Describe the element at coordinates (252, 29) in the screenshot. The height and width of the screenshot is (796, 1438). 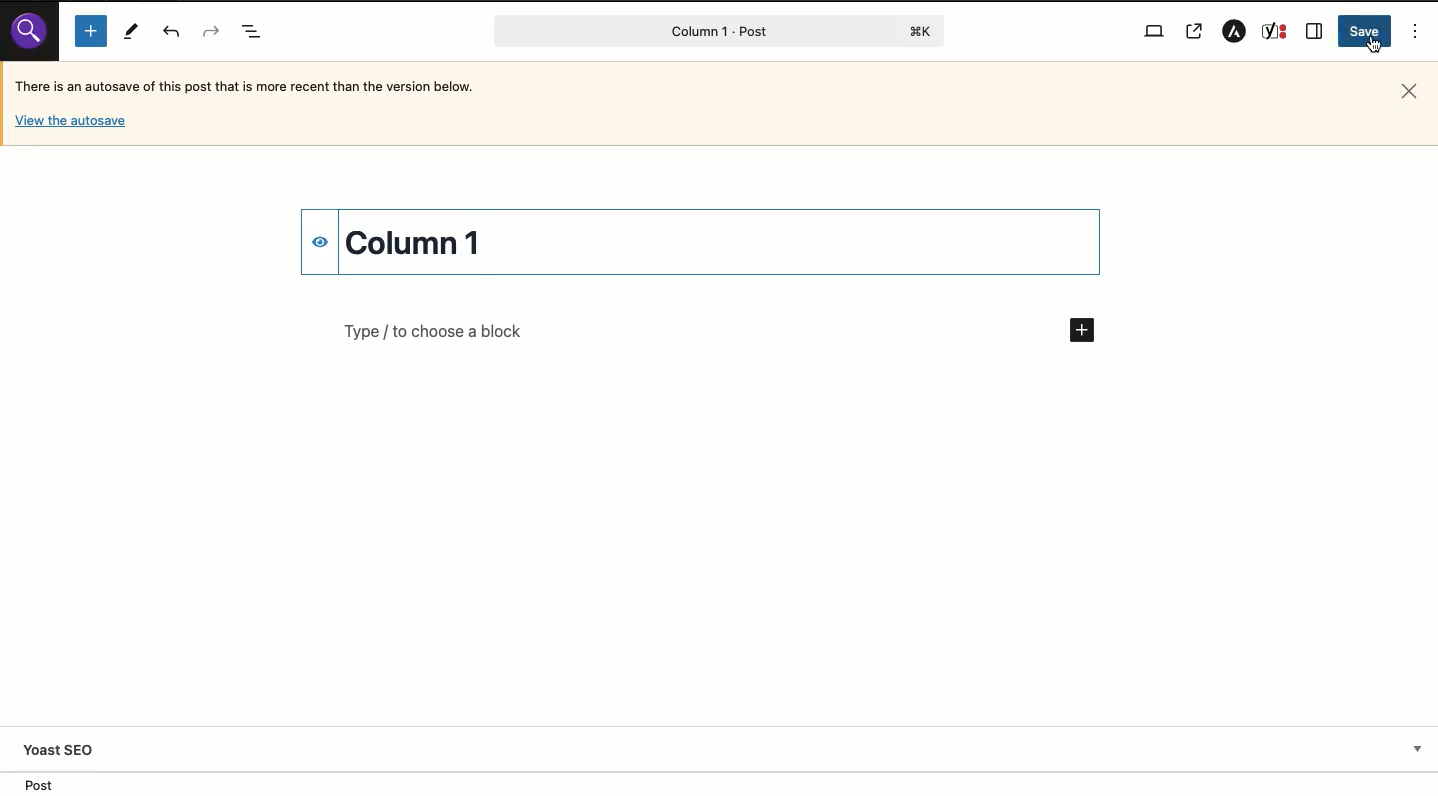
I see `Document overview` at that location.